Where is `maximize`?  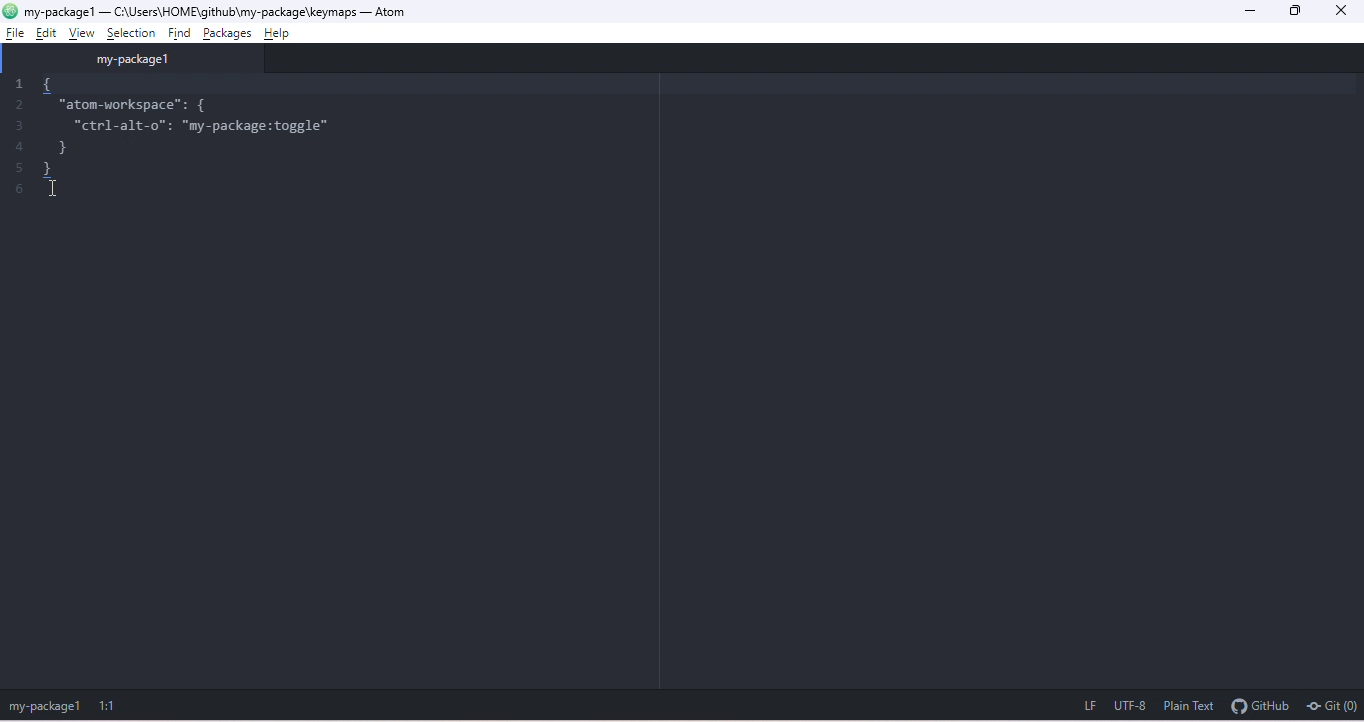
maximize is located at coordinates (1300, 12).